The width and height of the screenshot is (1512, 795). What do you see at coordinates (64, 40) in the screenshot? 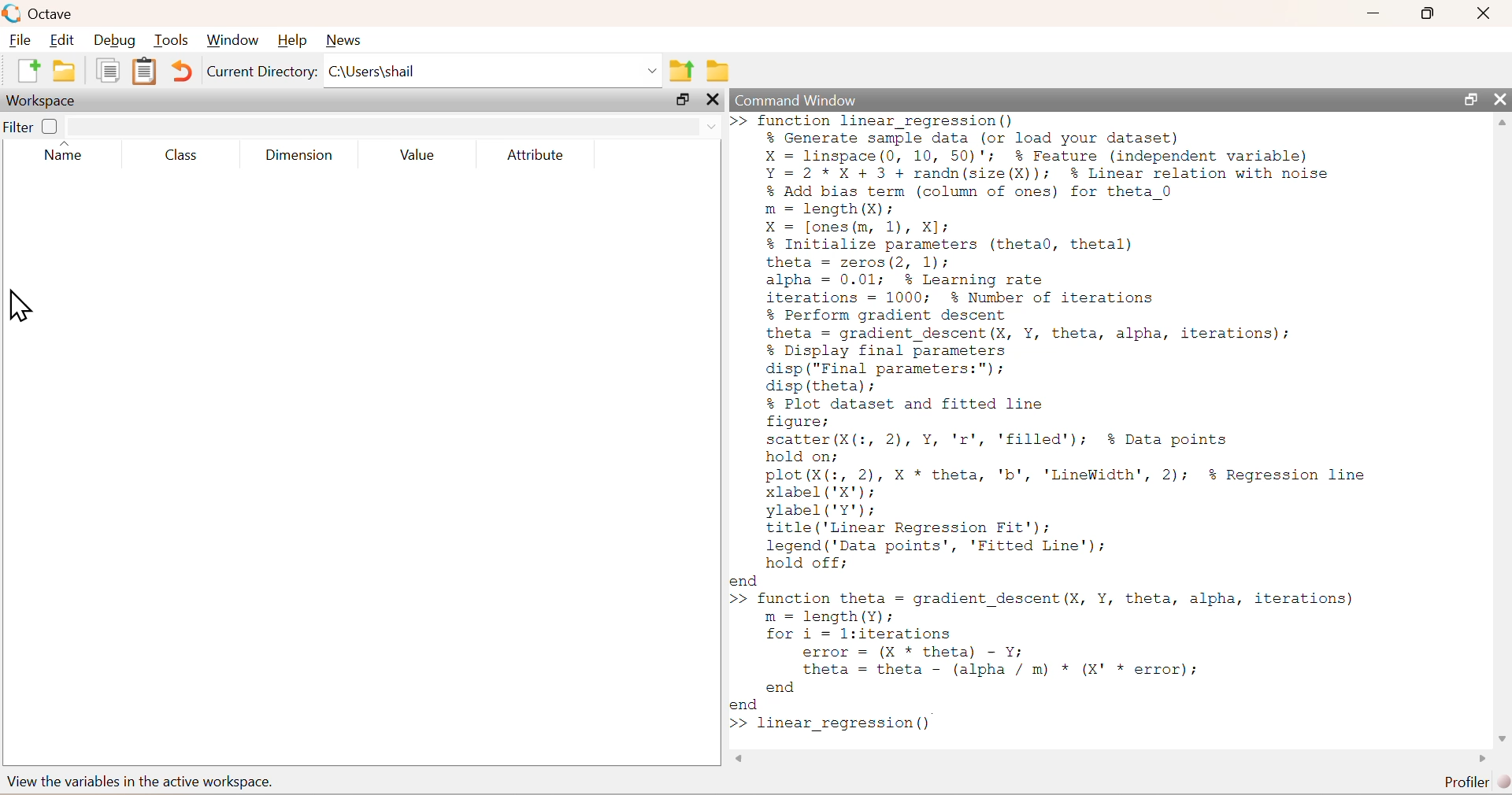
I see `Edit` at bounding box center [64, 40].